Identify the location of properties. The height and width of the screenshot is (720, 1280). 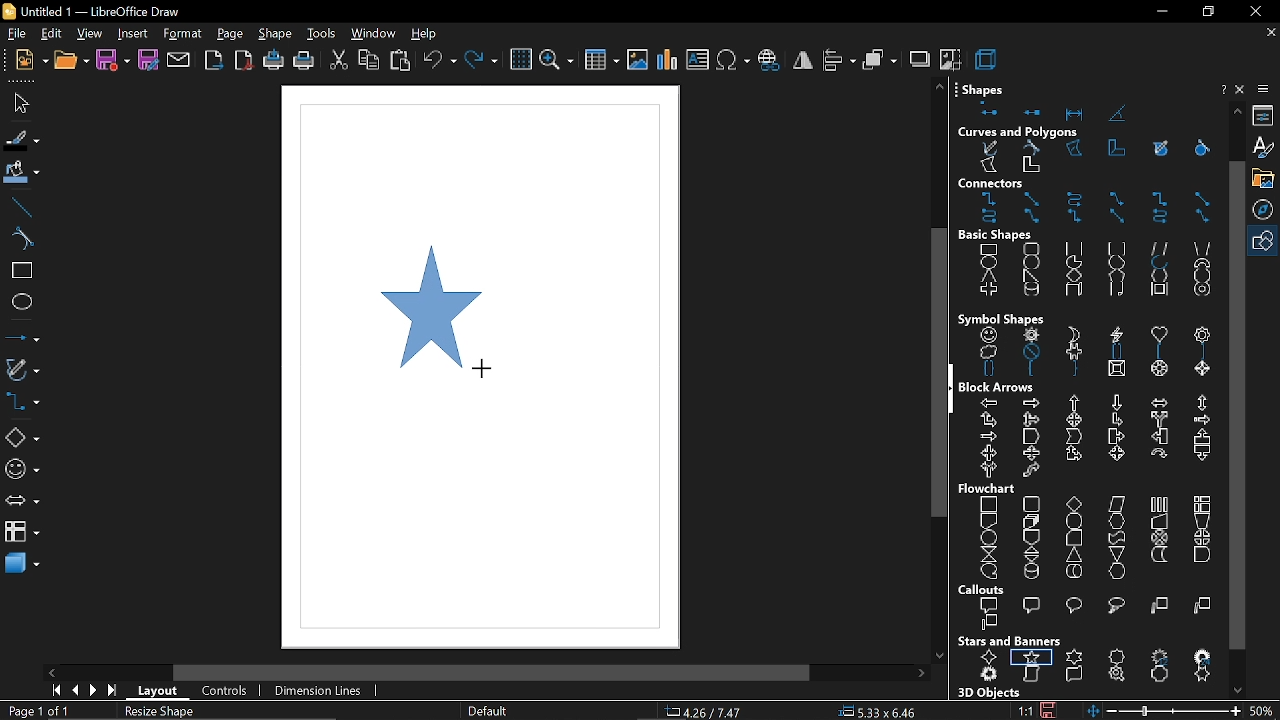
(1265, 115).